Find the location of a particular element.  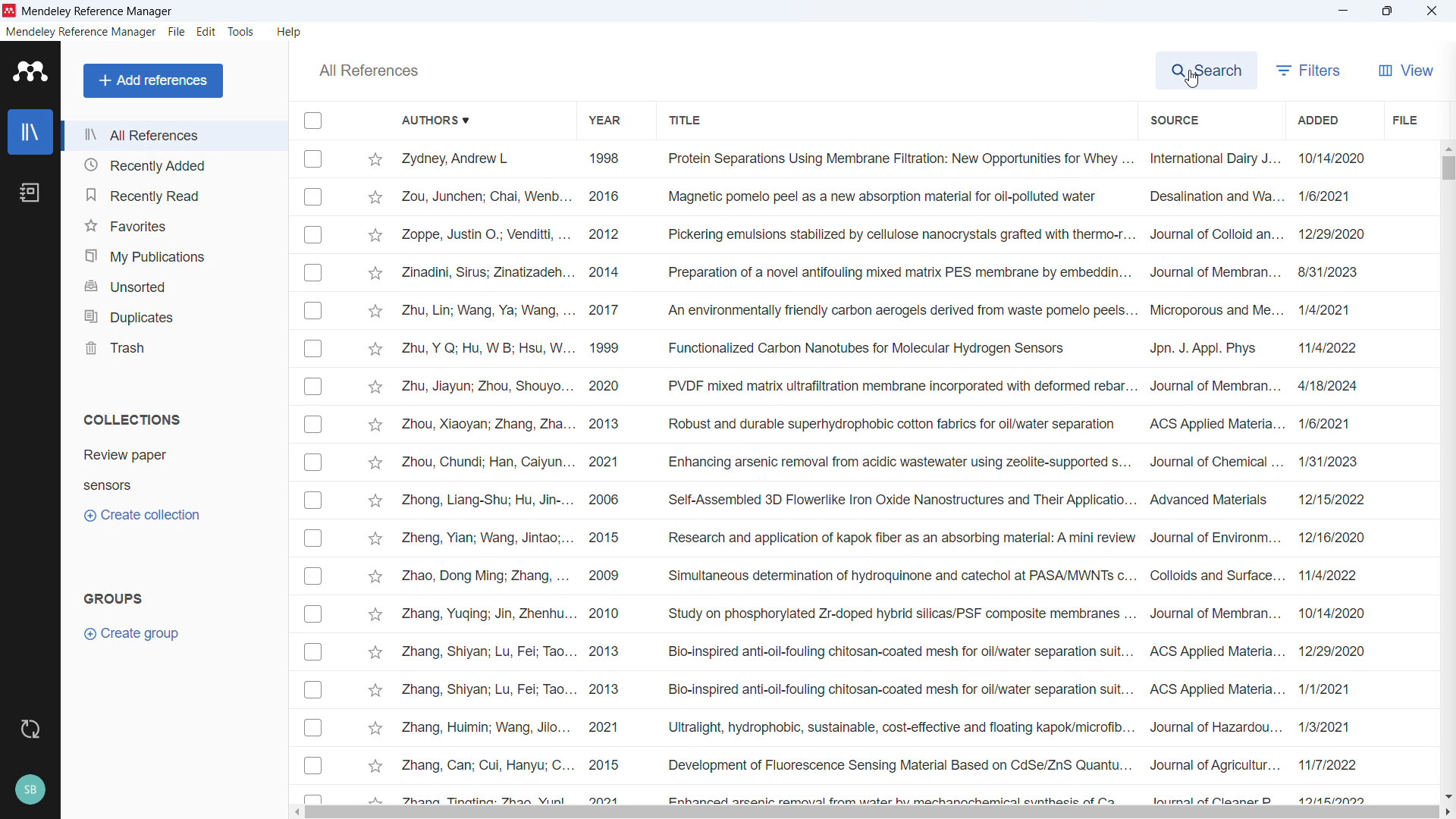

Vertical scrollbar  is located at coordinates (1448, 168).